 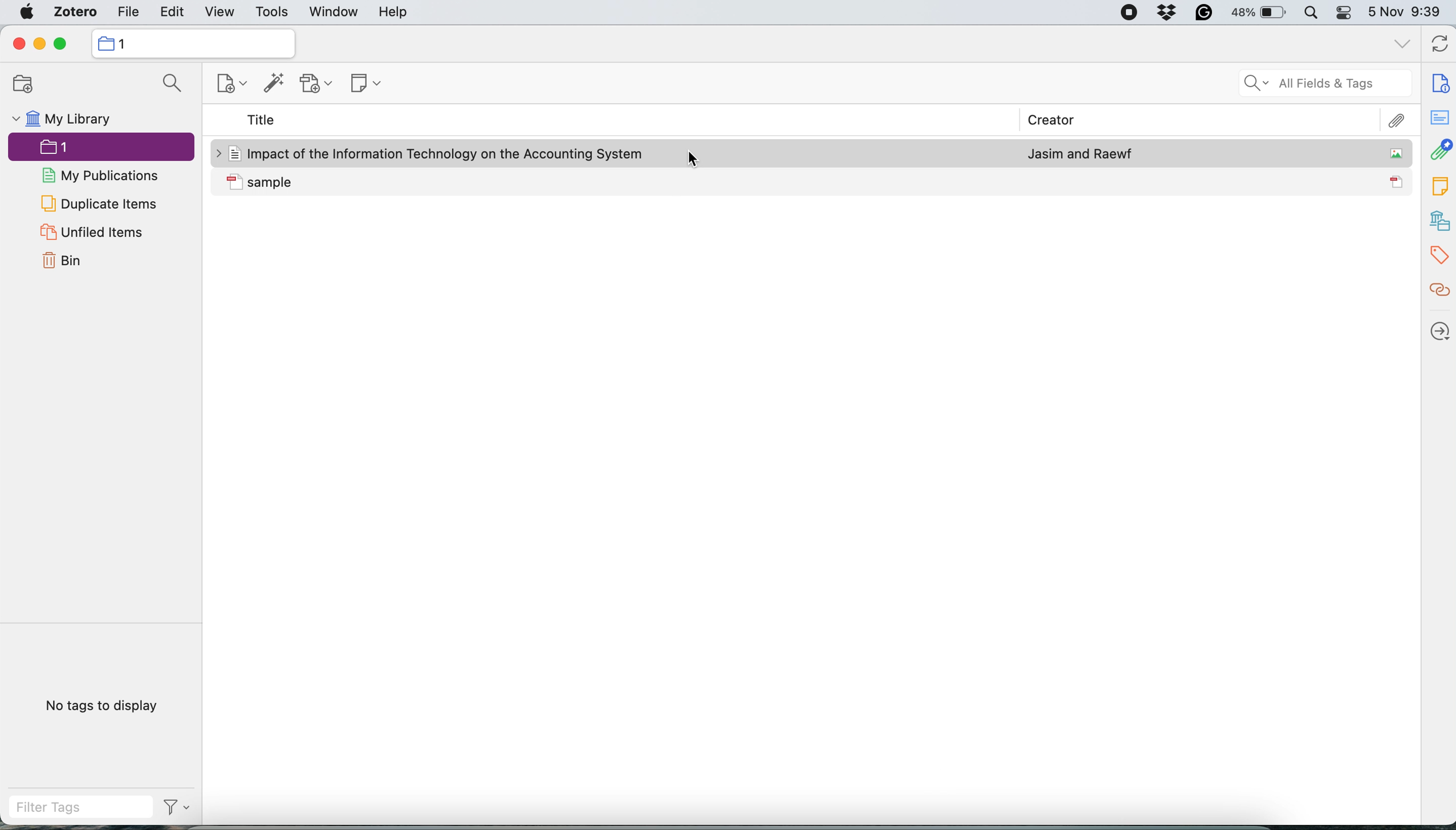 What do you see at coordinates (335, 13) in the screenshot?
I see `window` at bounding box center [335, 13].